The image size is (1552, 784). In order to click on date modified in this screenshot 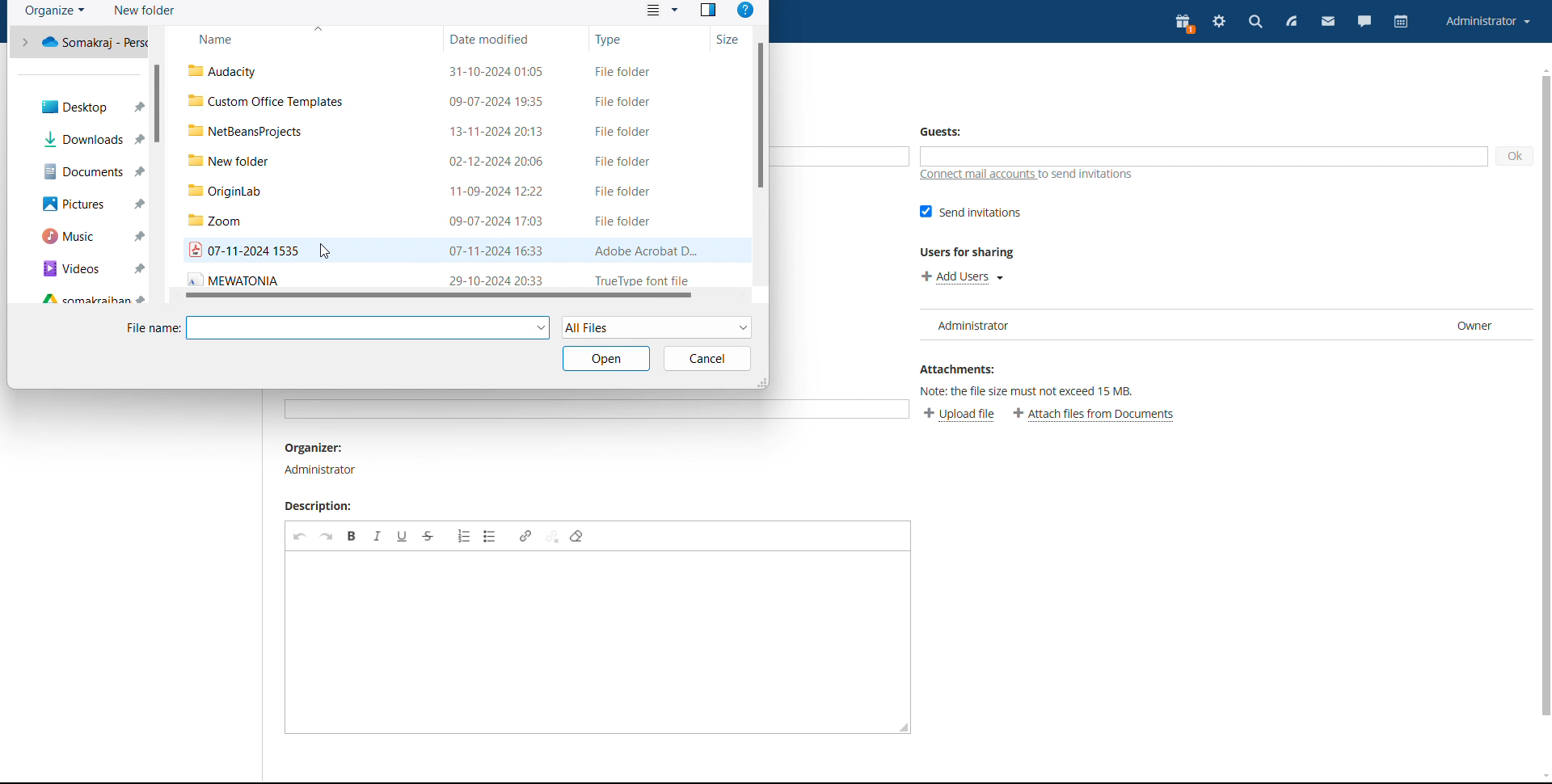, I will do `click(514, 37)`.